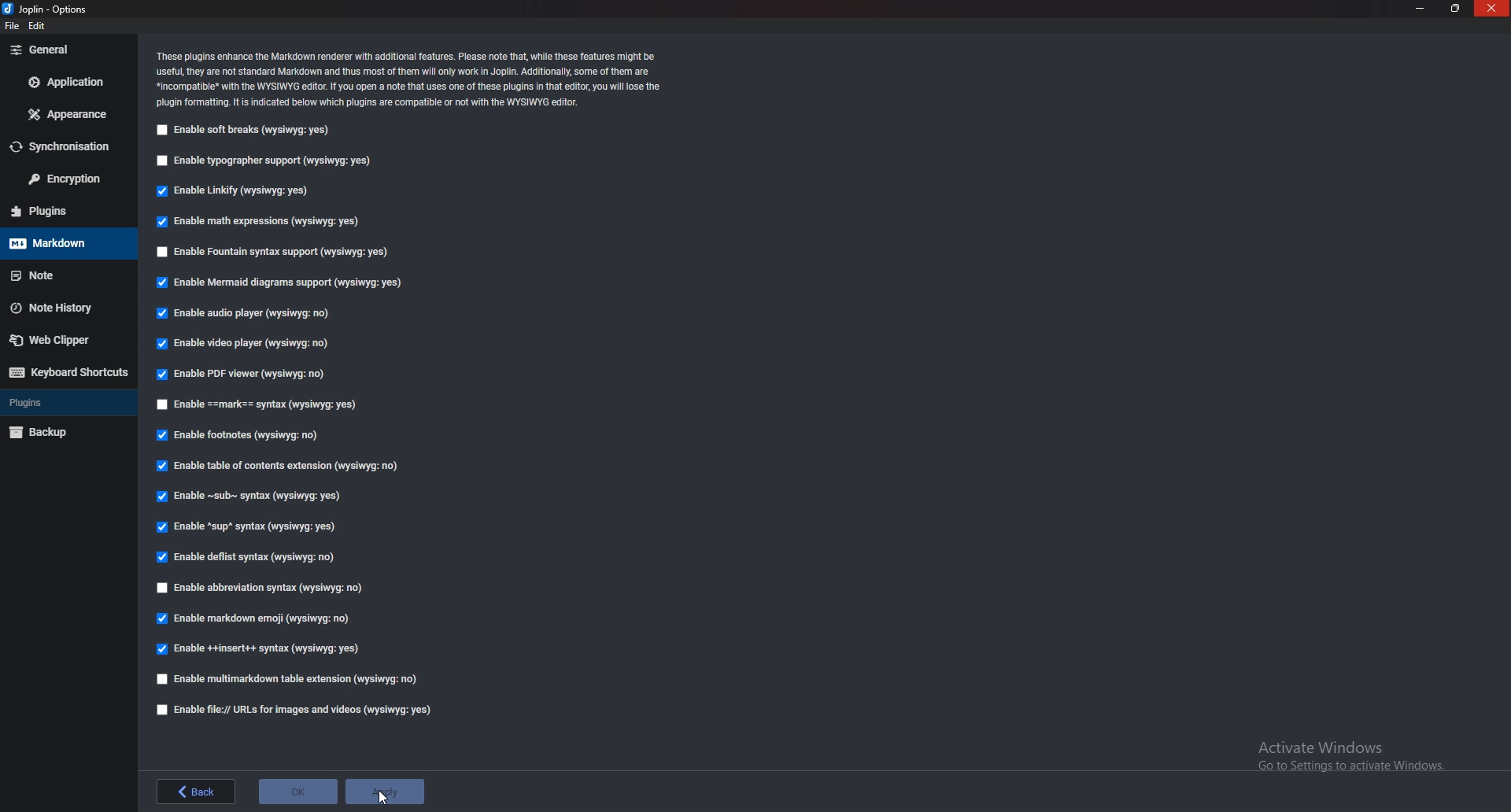 Image resolution: width=1511 pixels, height=812 pixels. What do you see at coordinates (255, 621) in the screenshot?
I see `Enable Markdown Emoji` at bounding box center [255, 621].